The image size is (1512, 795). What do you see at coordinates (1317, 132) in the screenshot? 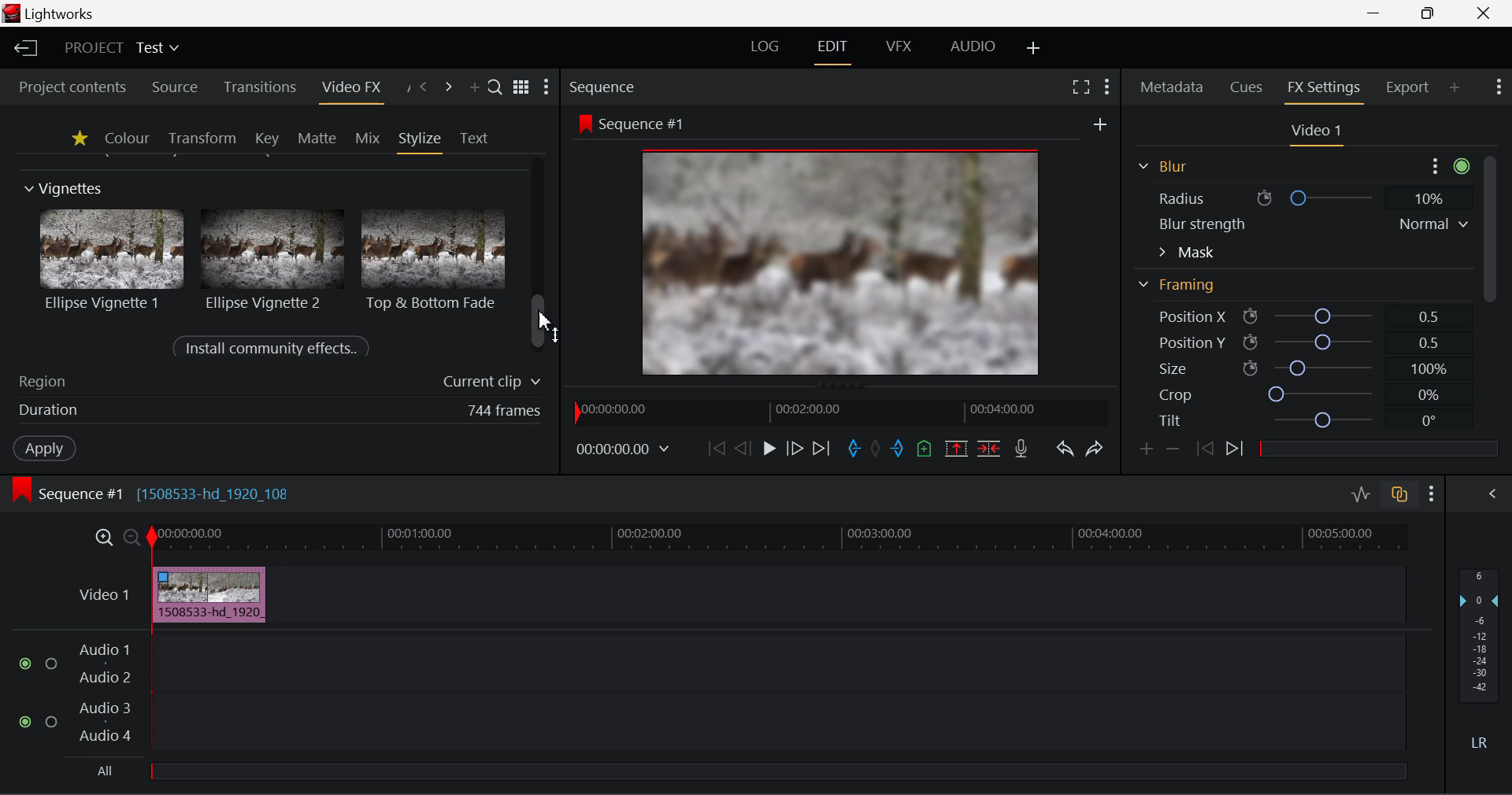
I see `Video 1 Settings` at bounding box center [1317, 132].